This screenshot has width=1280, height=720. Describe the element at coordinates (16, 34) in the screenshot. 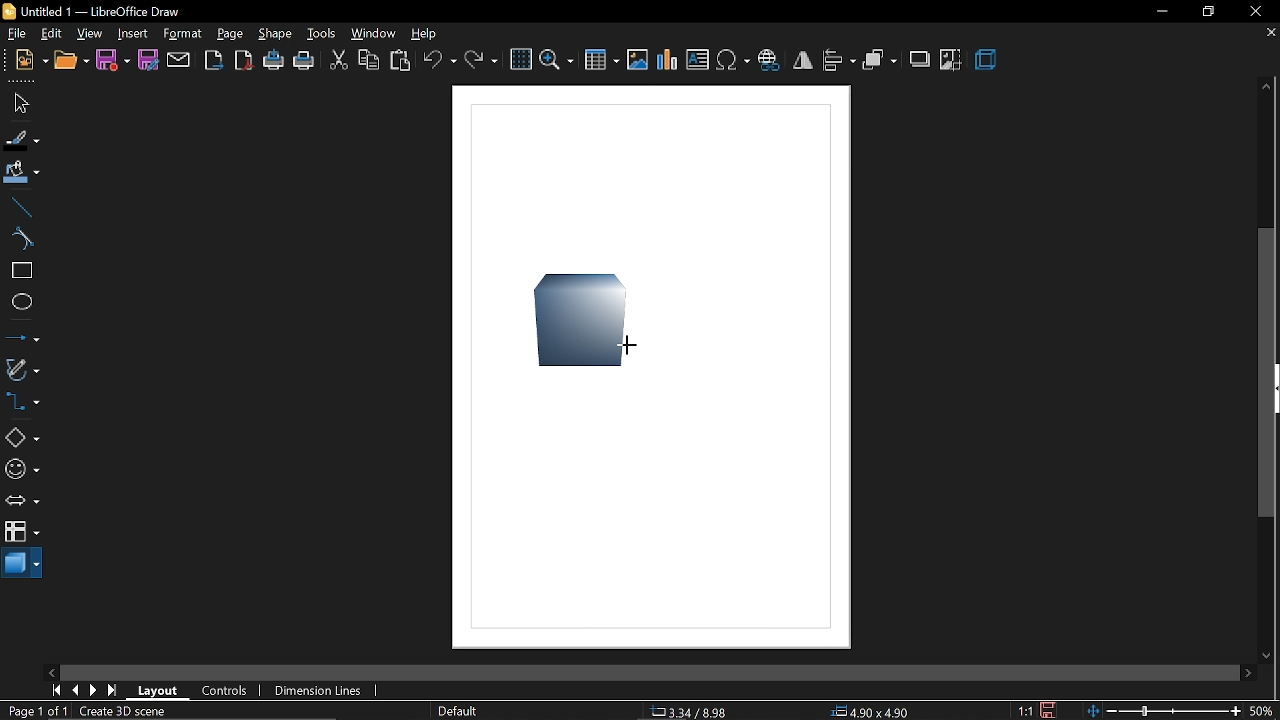

I see `file` at that location.